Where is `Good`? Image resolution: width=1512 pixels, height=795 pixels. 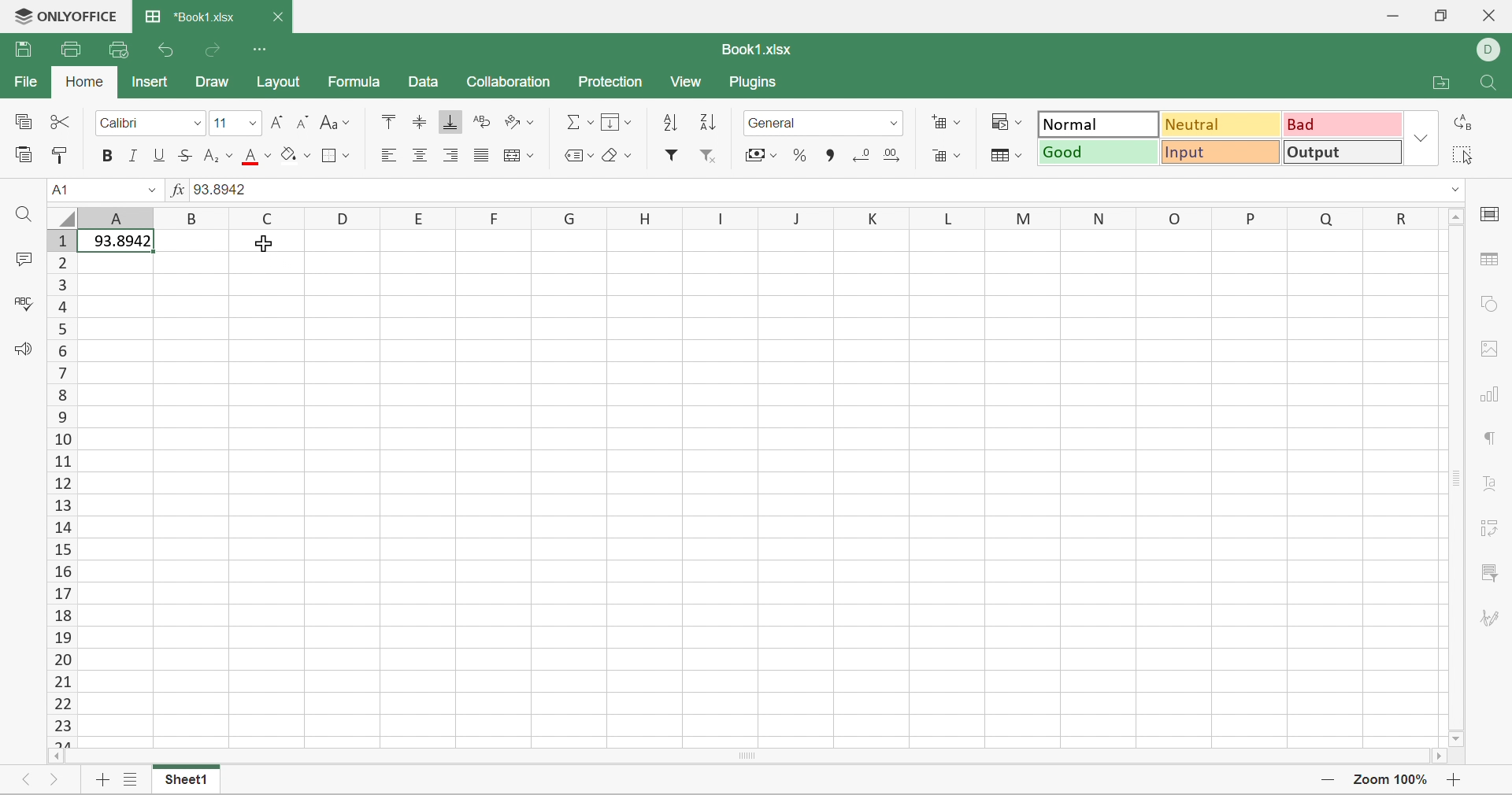
Good is located at coordinates (1100, 152).